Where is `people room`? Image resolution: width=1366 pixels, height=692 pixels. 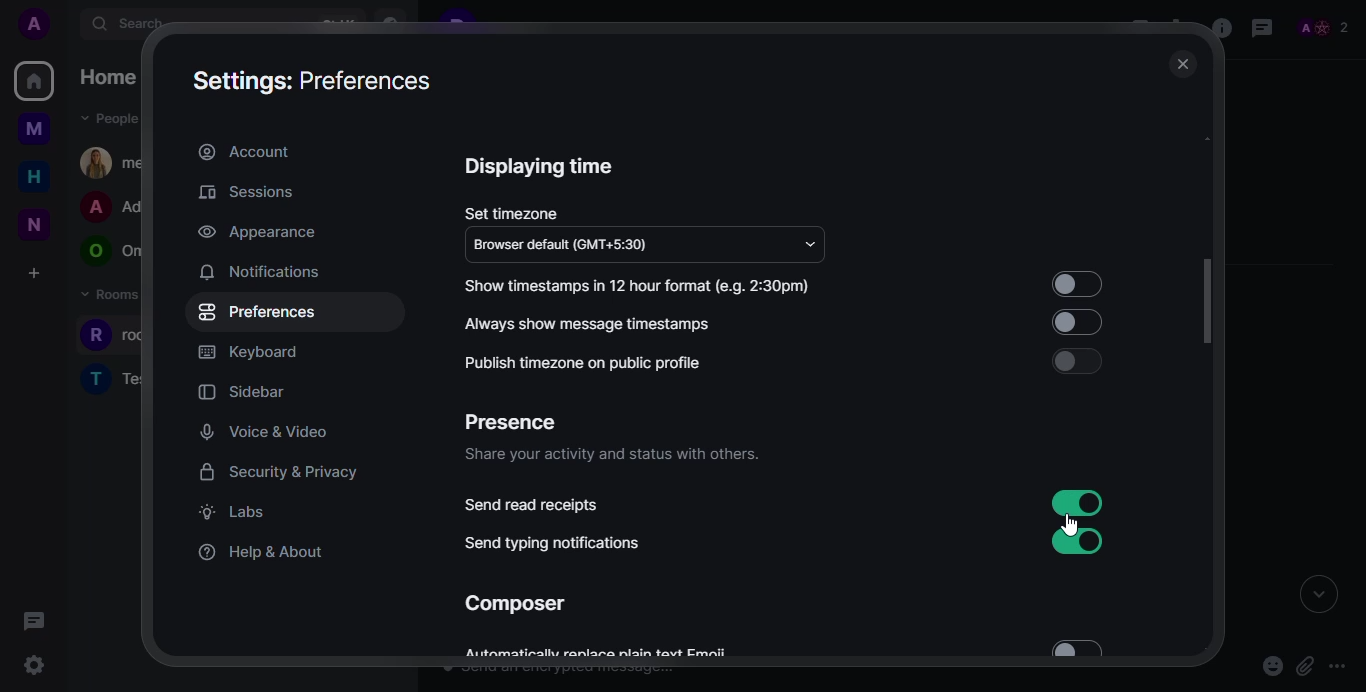 people room is located at coordinates (112, 252).